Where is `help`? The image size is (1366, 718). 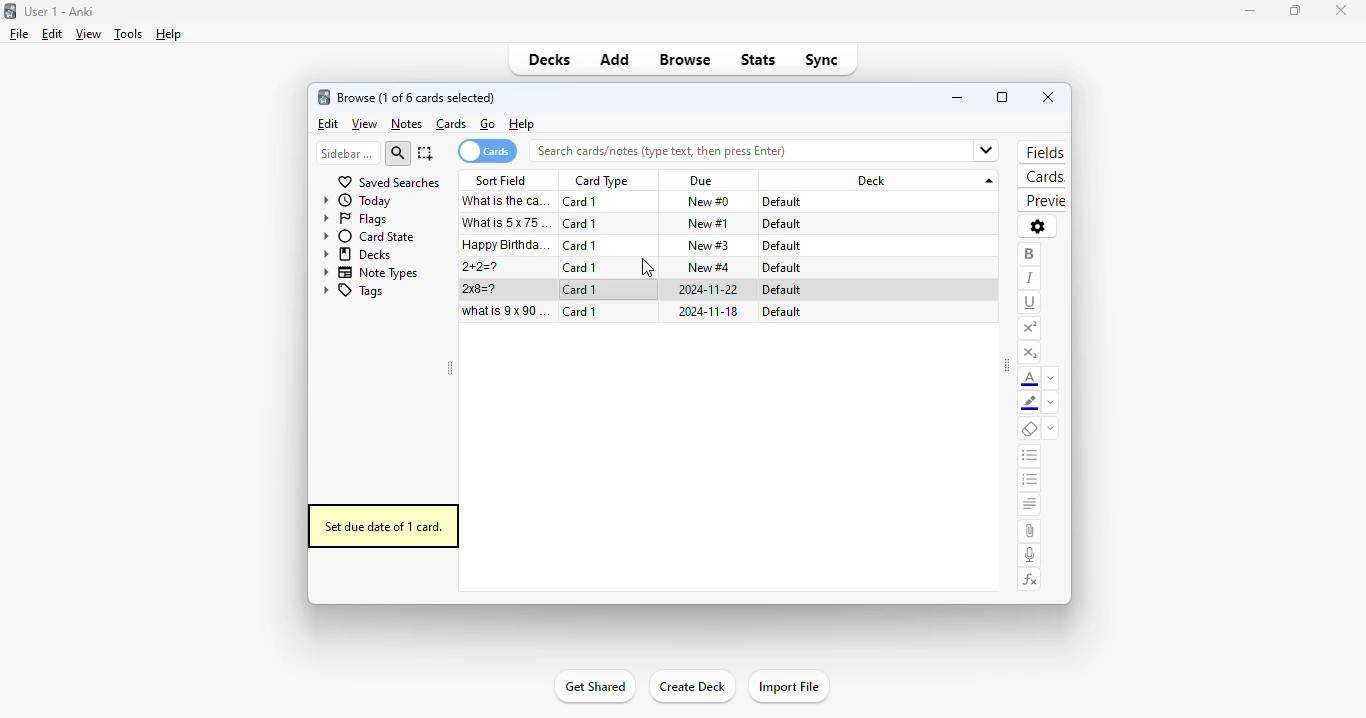 help is located at coordinates (168, 34).